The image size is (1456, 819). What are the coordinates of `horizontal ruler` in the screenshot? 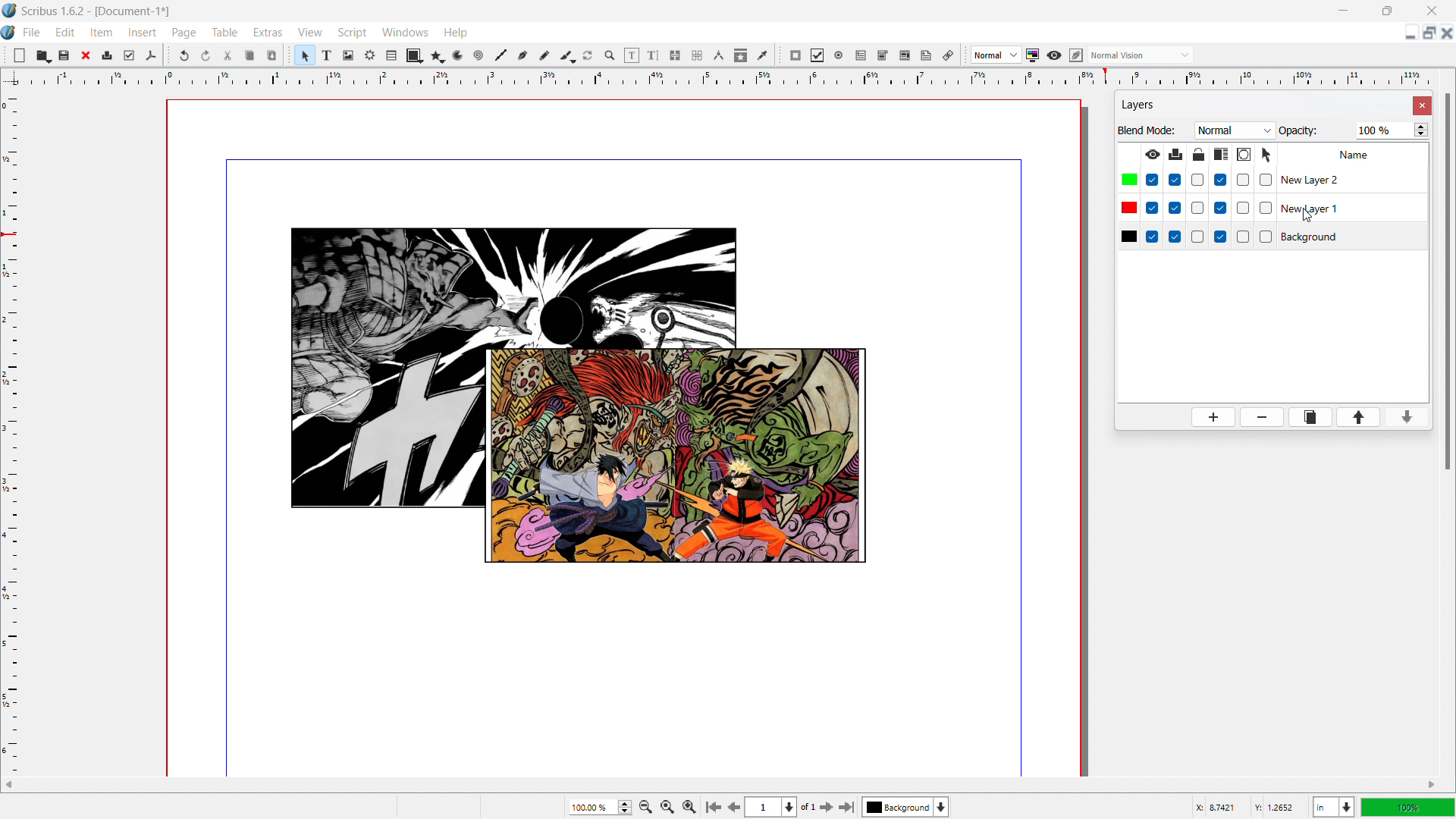 It's located at (727, 77).